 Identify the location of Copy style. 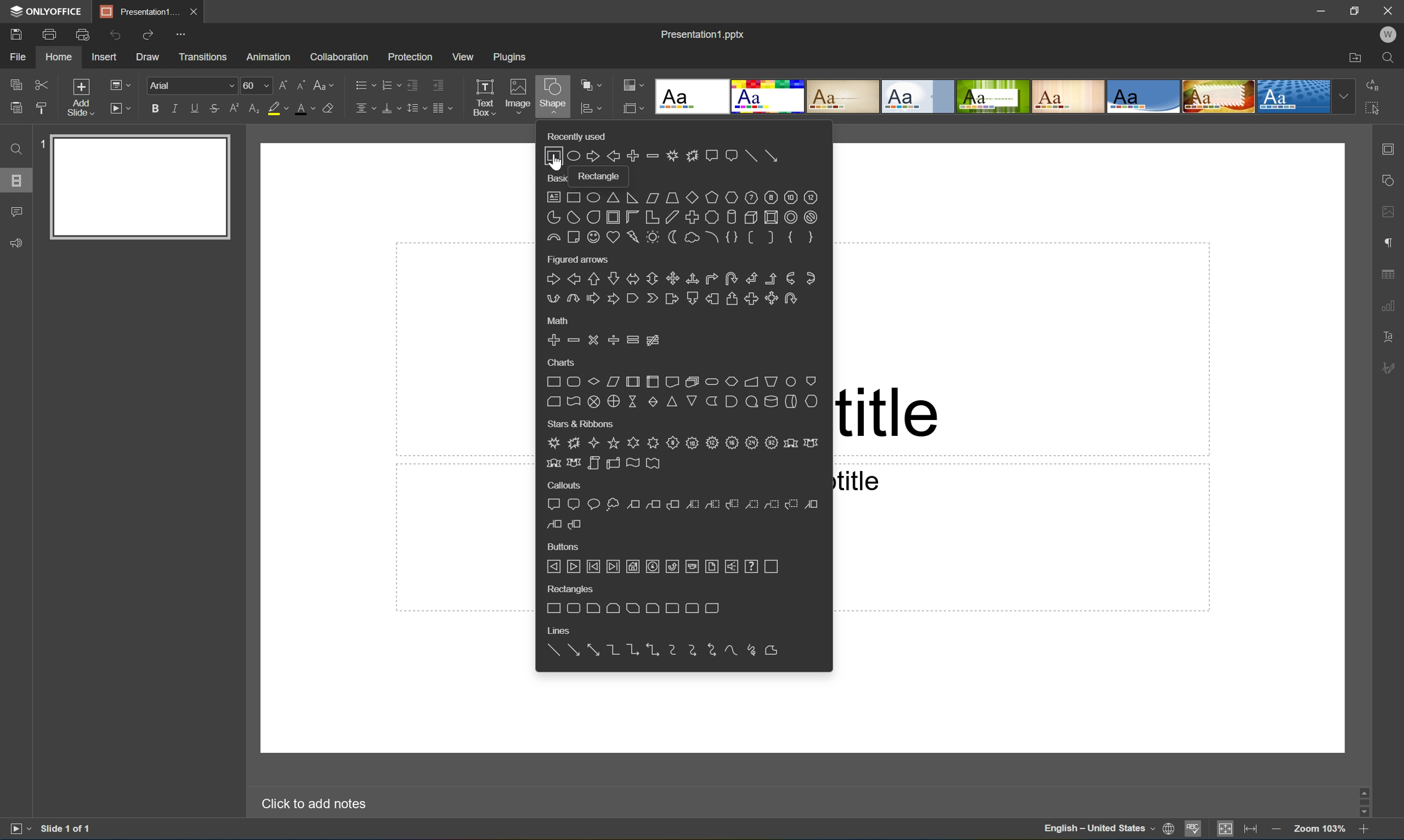
(41, 106).